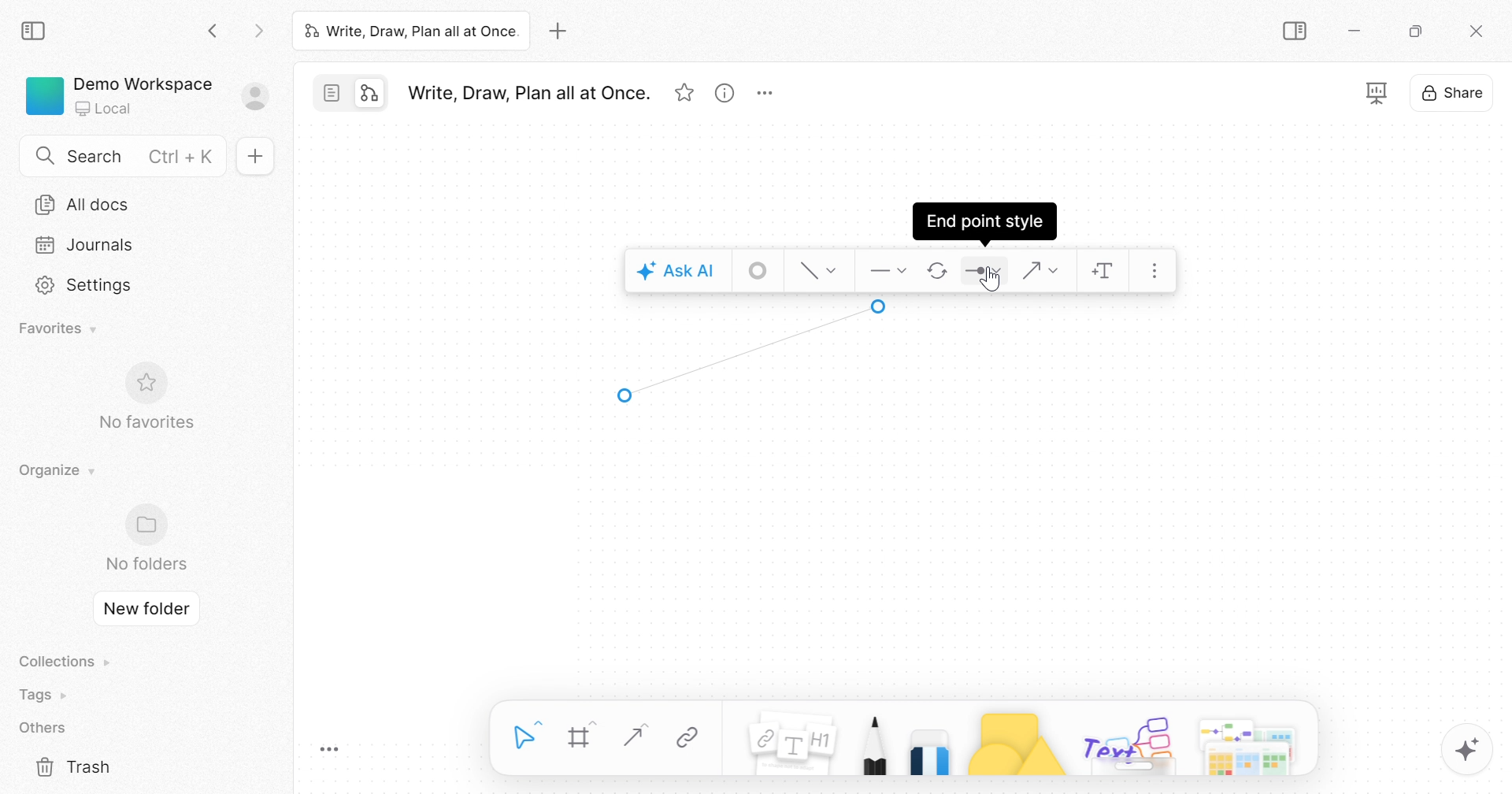 The height and width of the screenshot is (794, 1512). What do you see at coordinates (184, 157) in the screenshot?
I see `Ctrl + K` at bounding box center [184, 157].